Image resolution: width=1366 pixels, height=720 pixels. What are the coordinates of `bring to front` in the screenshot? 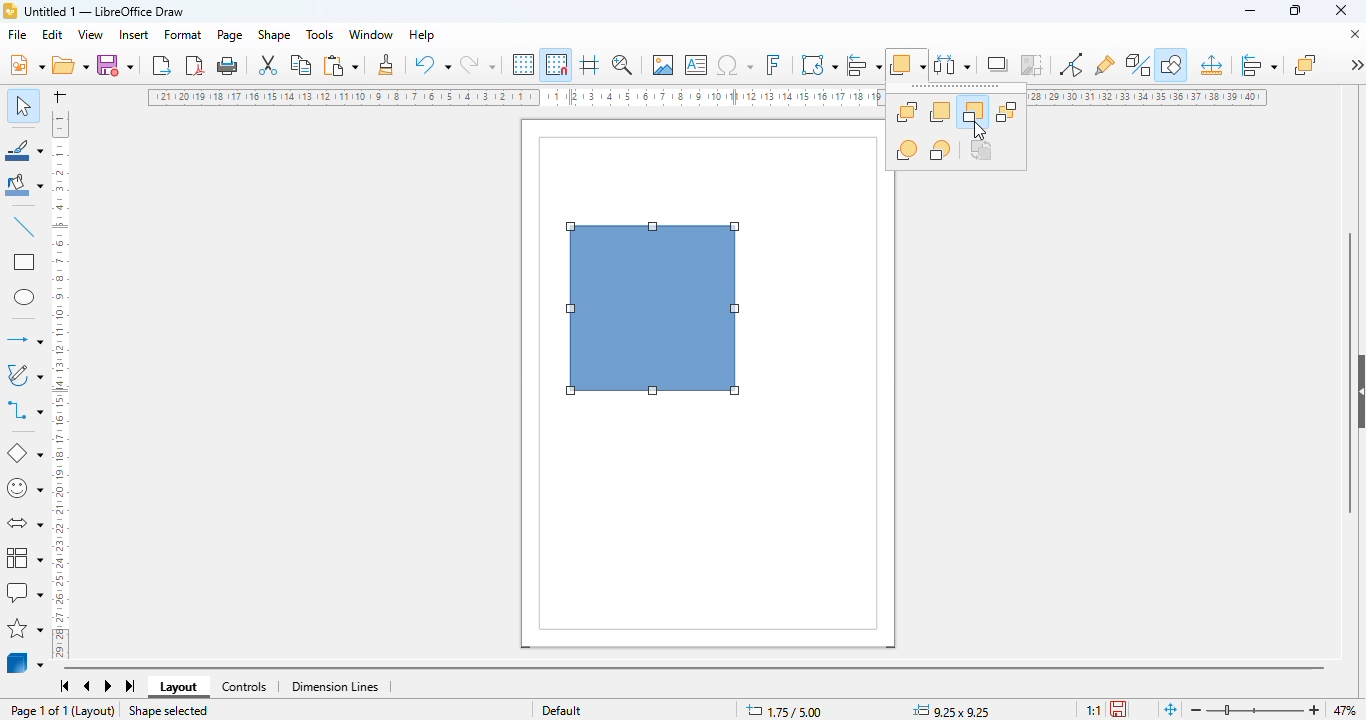 It's located at (1305, 64).